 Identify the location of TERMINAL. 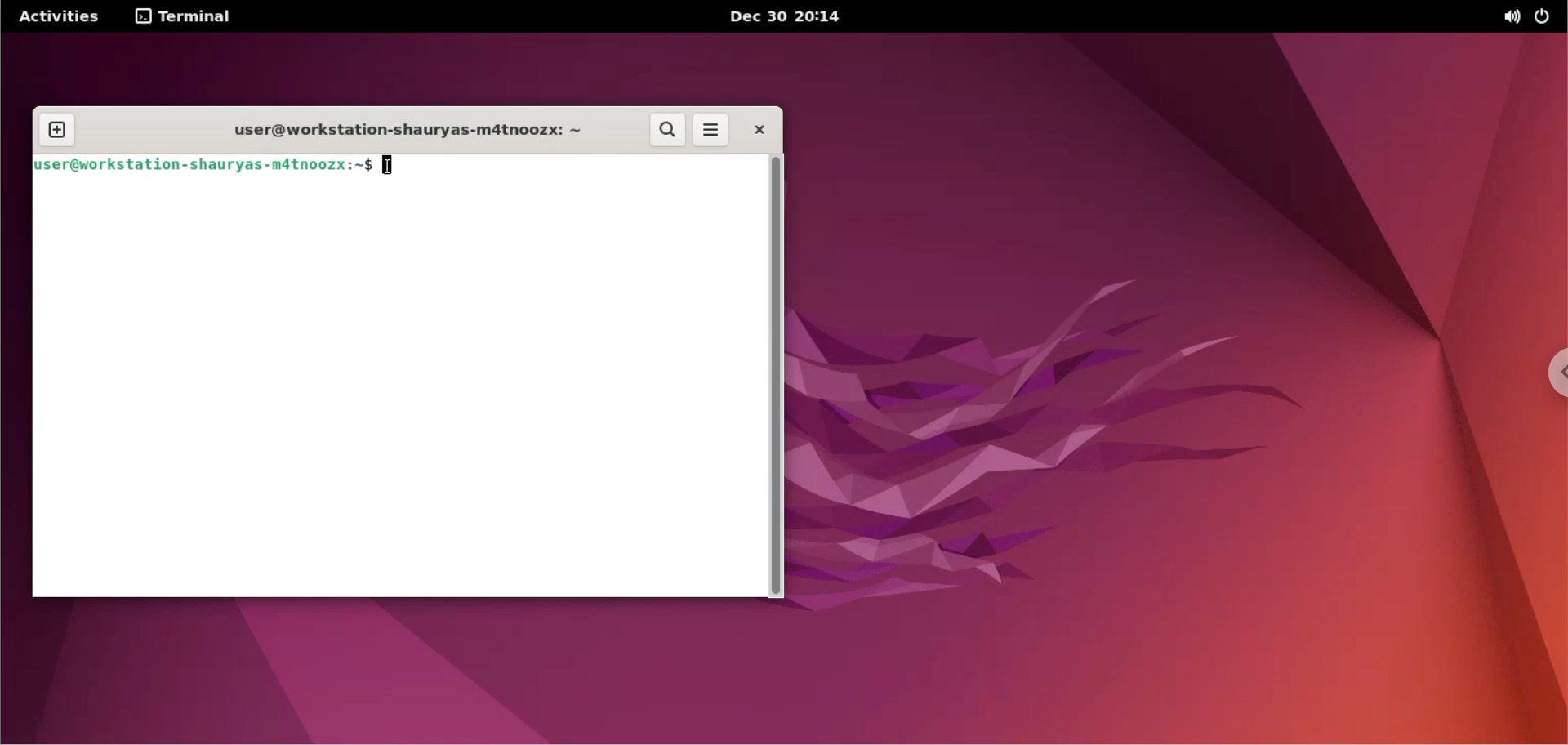
(185, 16).